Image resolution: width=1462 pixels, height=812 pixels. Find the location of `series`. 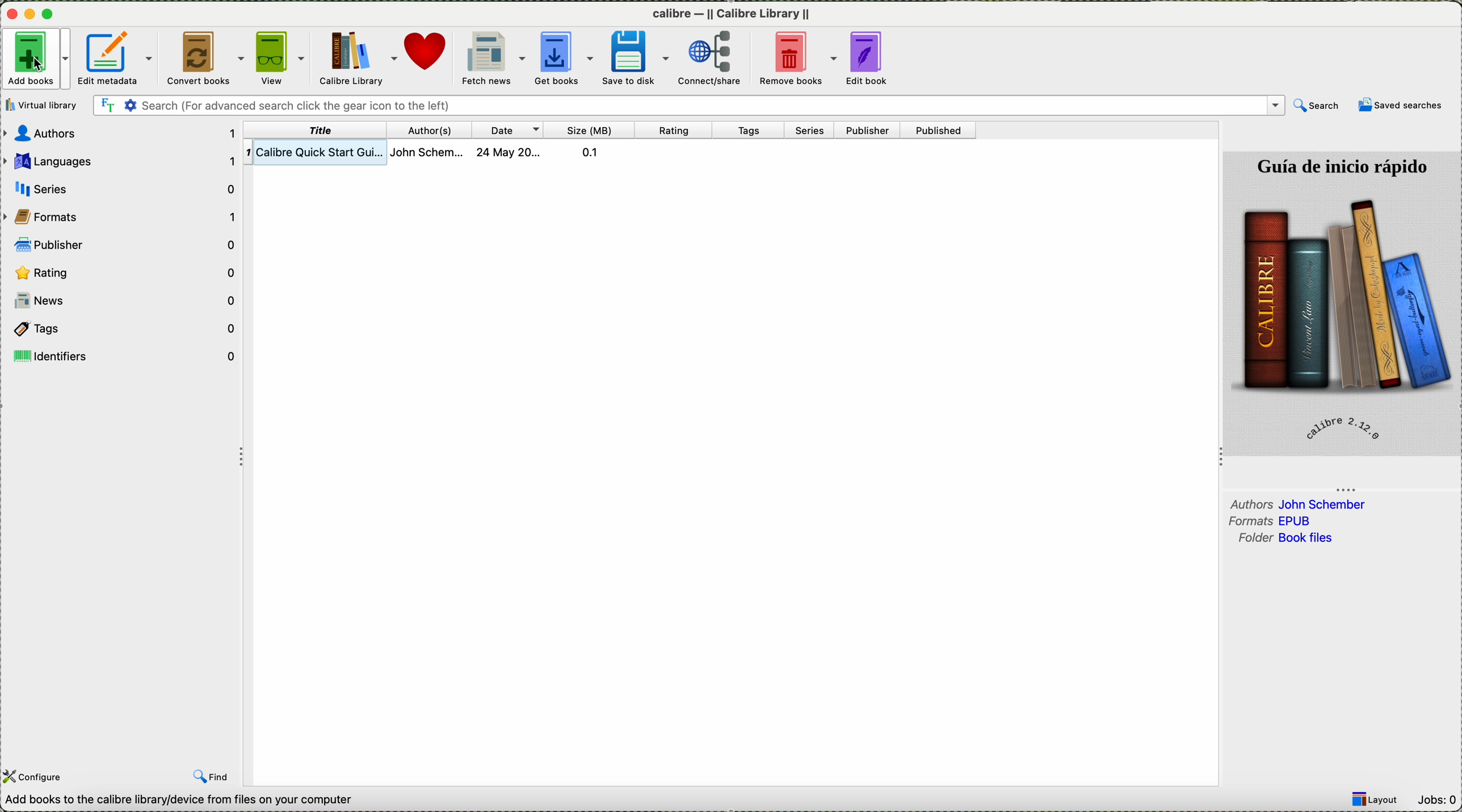

series is located at coordinates (123, 188).